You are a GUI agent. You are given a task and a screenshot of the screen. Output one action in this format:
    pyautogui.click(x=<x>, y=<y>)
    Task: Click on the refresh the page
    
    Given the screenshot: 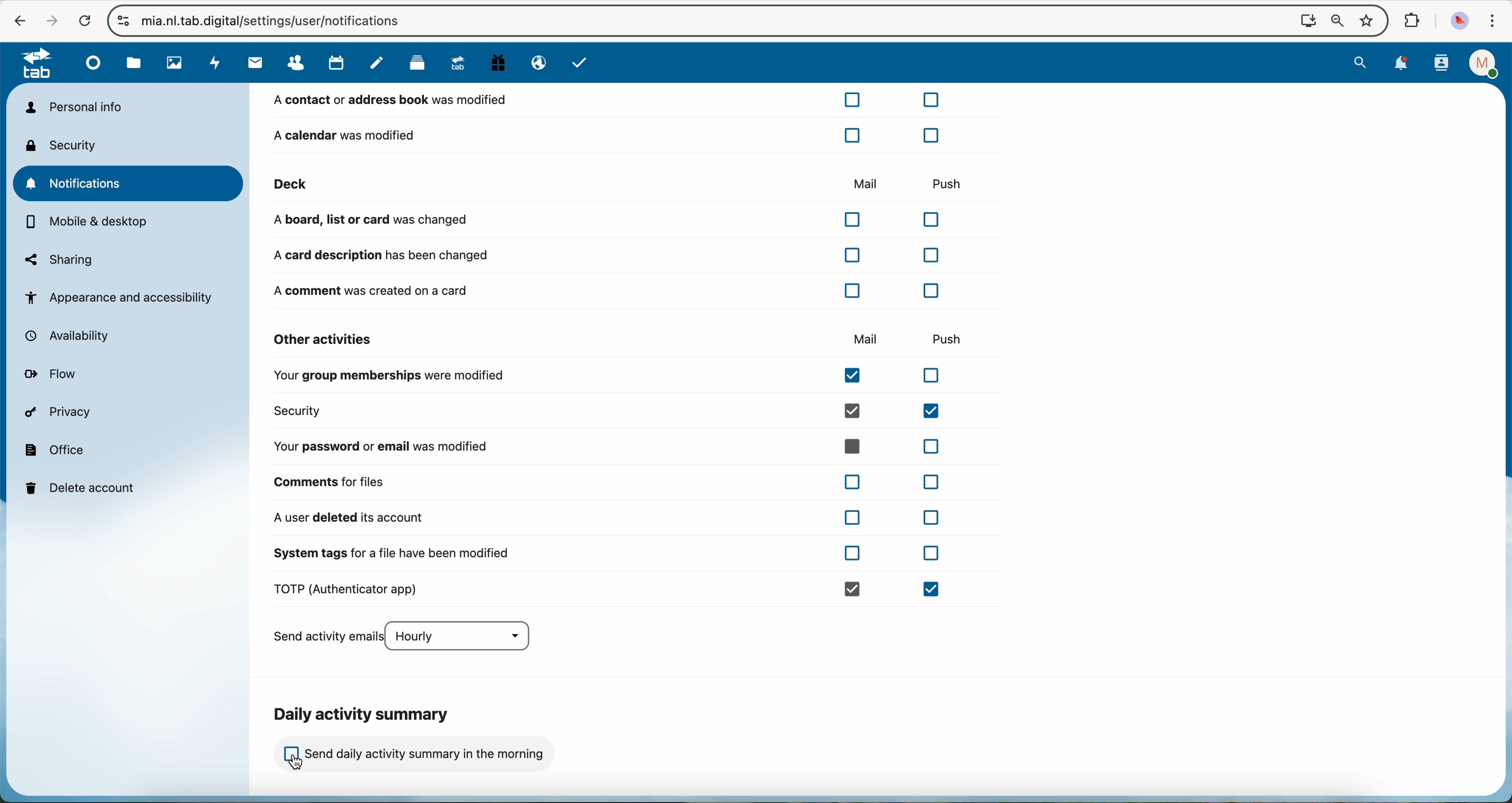 What is the action you would take?
    pyautogui.click(x=84, y=20)
    